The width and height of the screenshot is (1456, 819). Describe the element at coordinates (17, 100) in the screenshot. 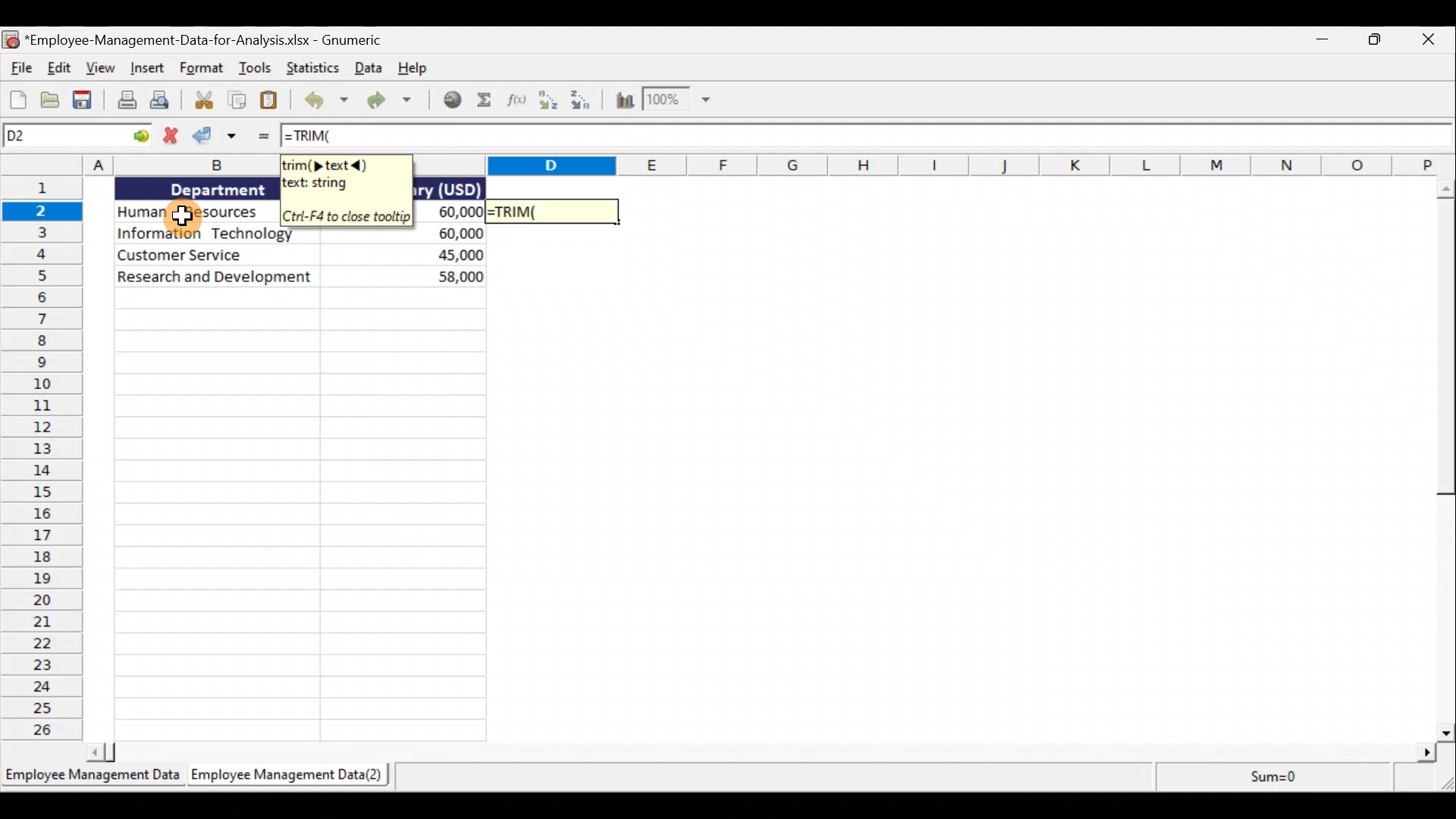

I see `Create a new workbook` at that location.